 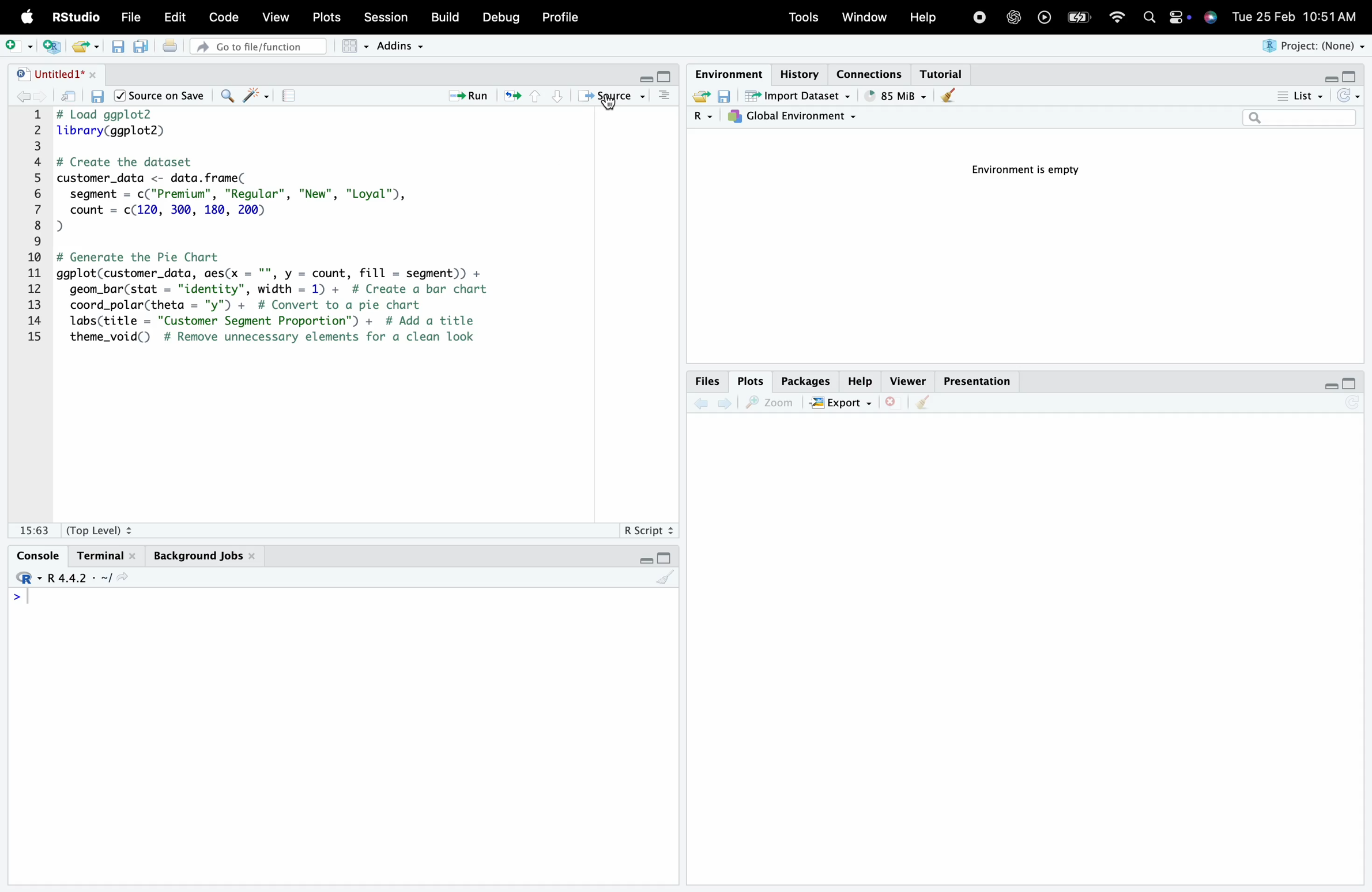 I want to click on import dataset ~ ., so click(x=802, y=95).